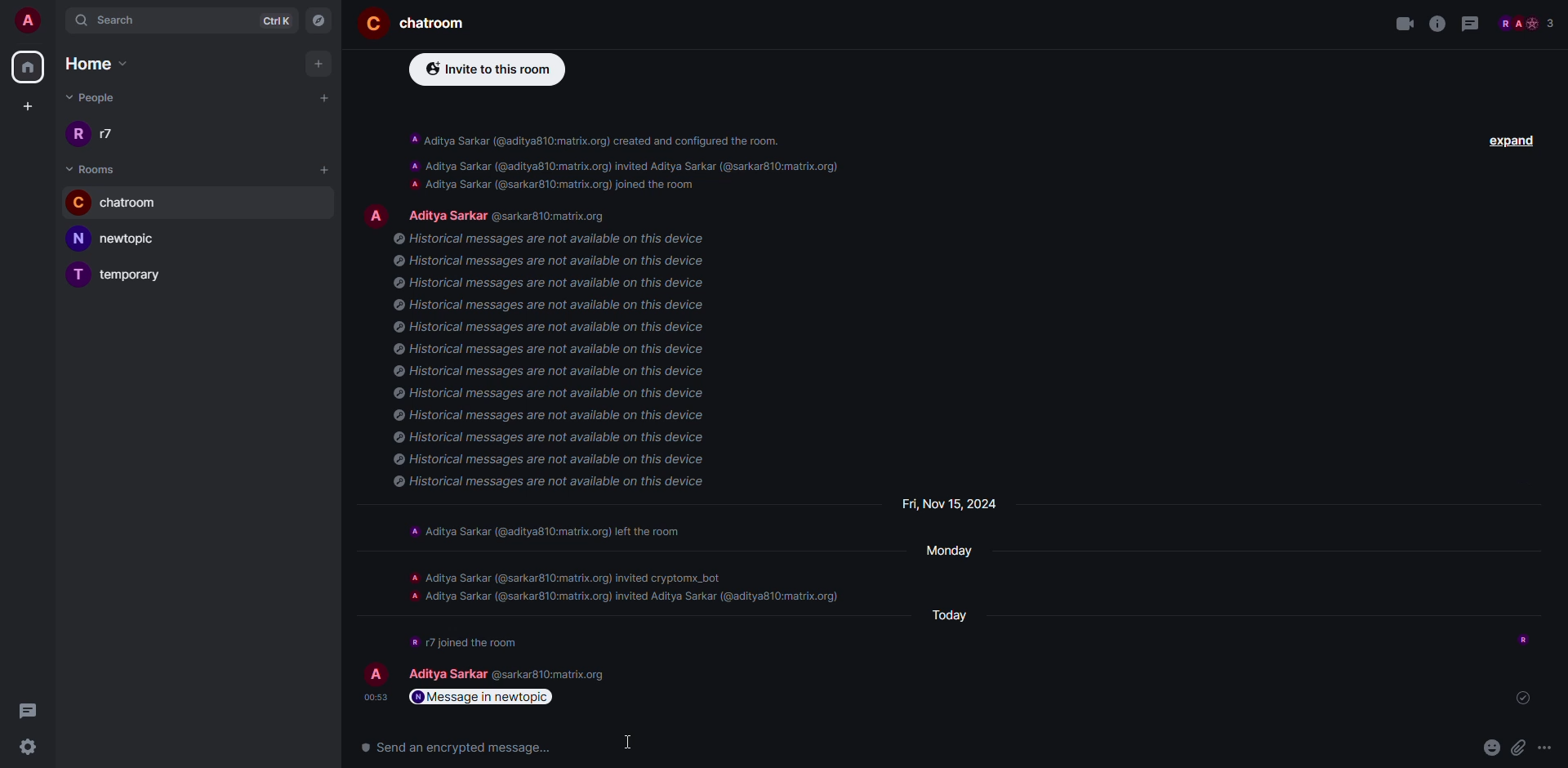 Image resolution: width=1568 pixels, height=768 pixels. Describe the element at coordinates (125, 274) in the screenshot. I see `temporary` at that location.